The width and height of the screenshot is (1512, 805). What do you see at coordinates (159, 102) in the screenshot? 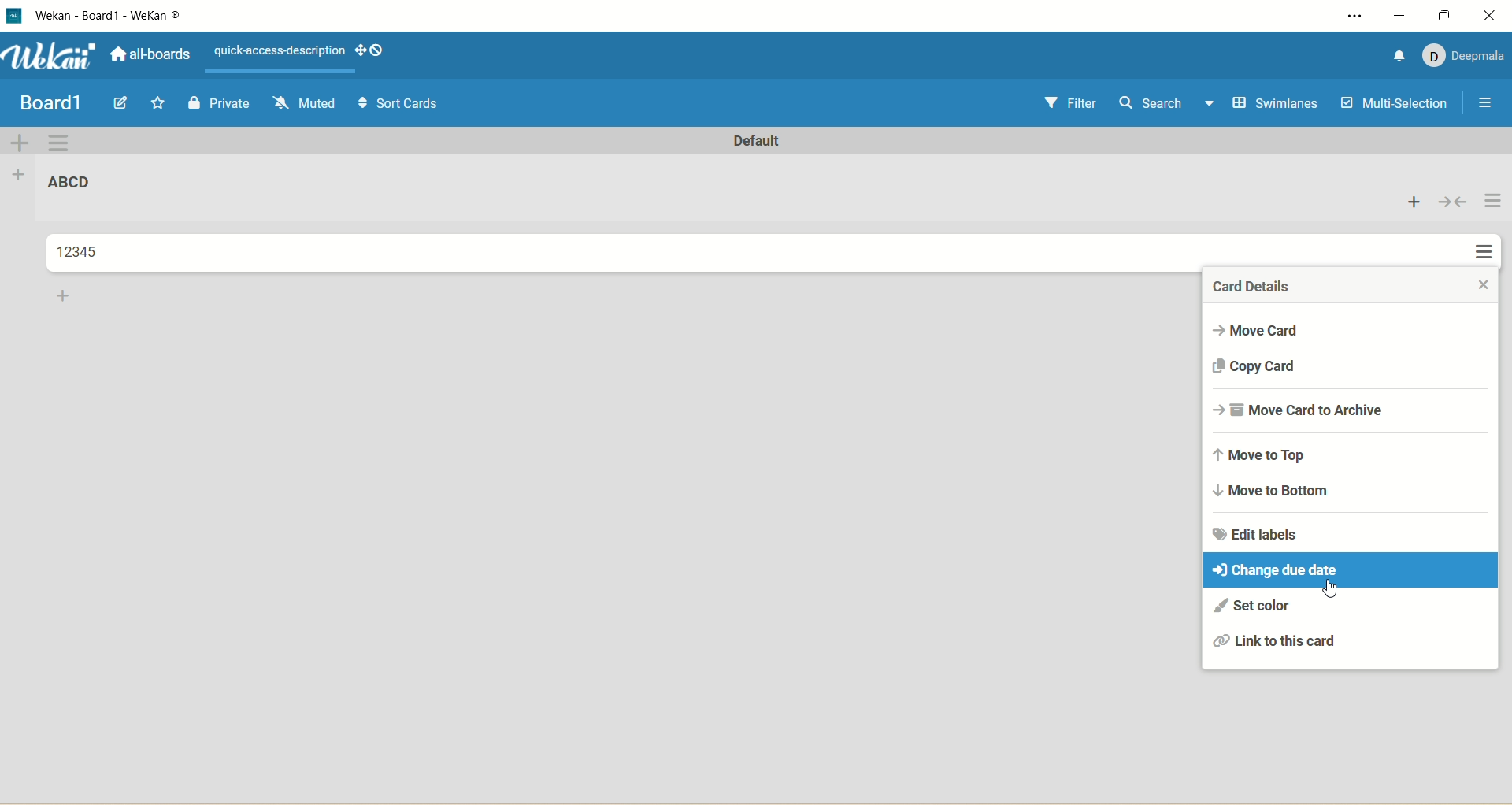
I see `favorite` at bounding box center [159, 102].